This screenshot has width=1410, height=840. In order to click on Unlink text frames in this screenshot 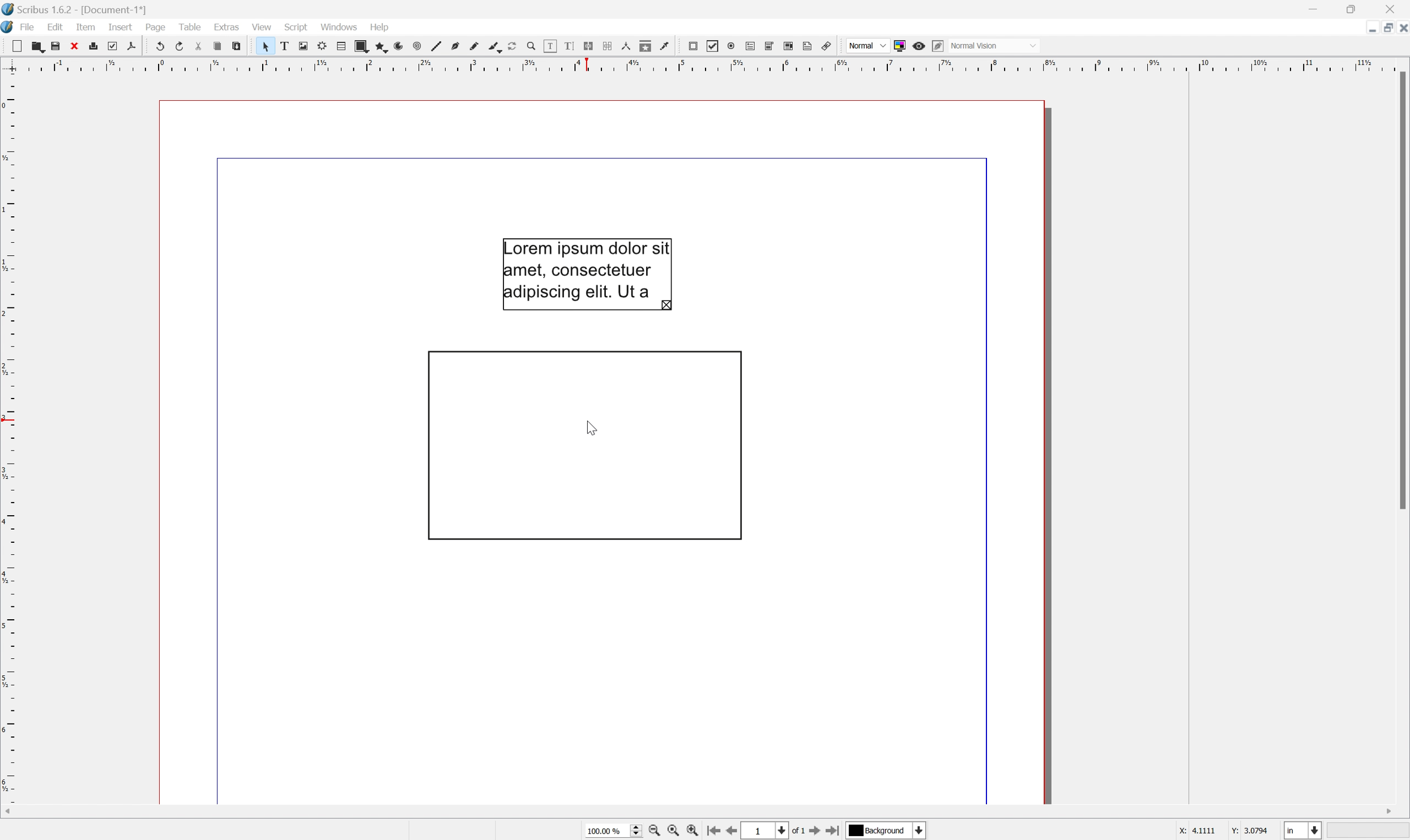, I will do `click(607, 45)`.